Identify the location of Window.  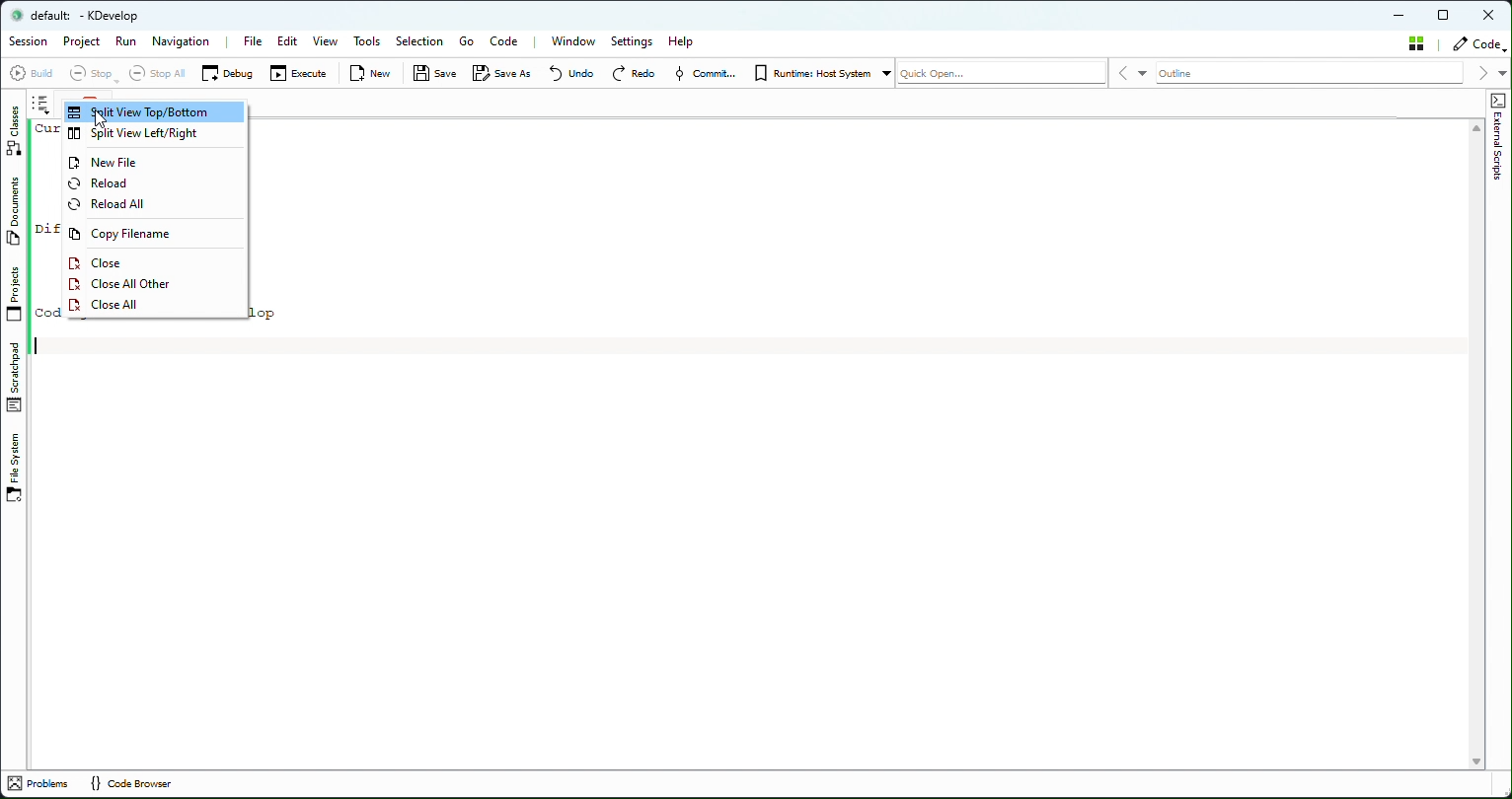
(579, 41).